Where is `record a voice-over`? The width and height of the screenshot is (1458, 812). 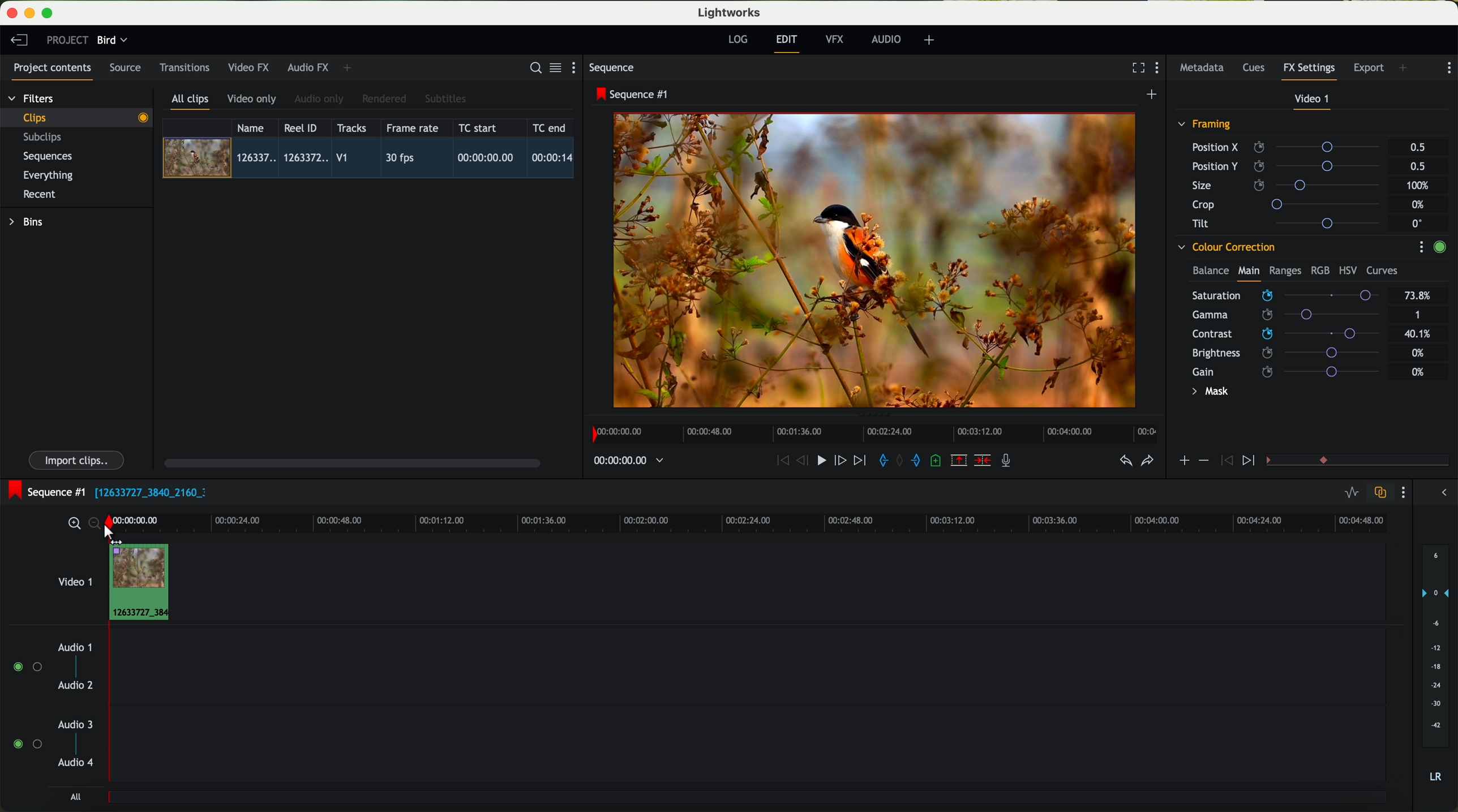 record a voice-over is located at coordinates (1010, 462).